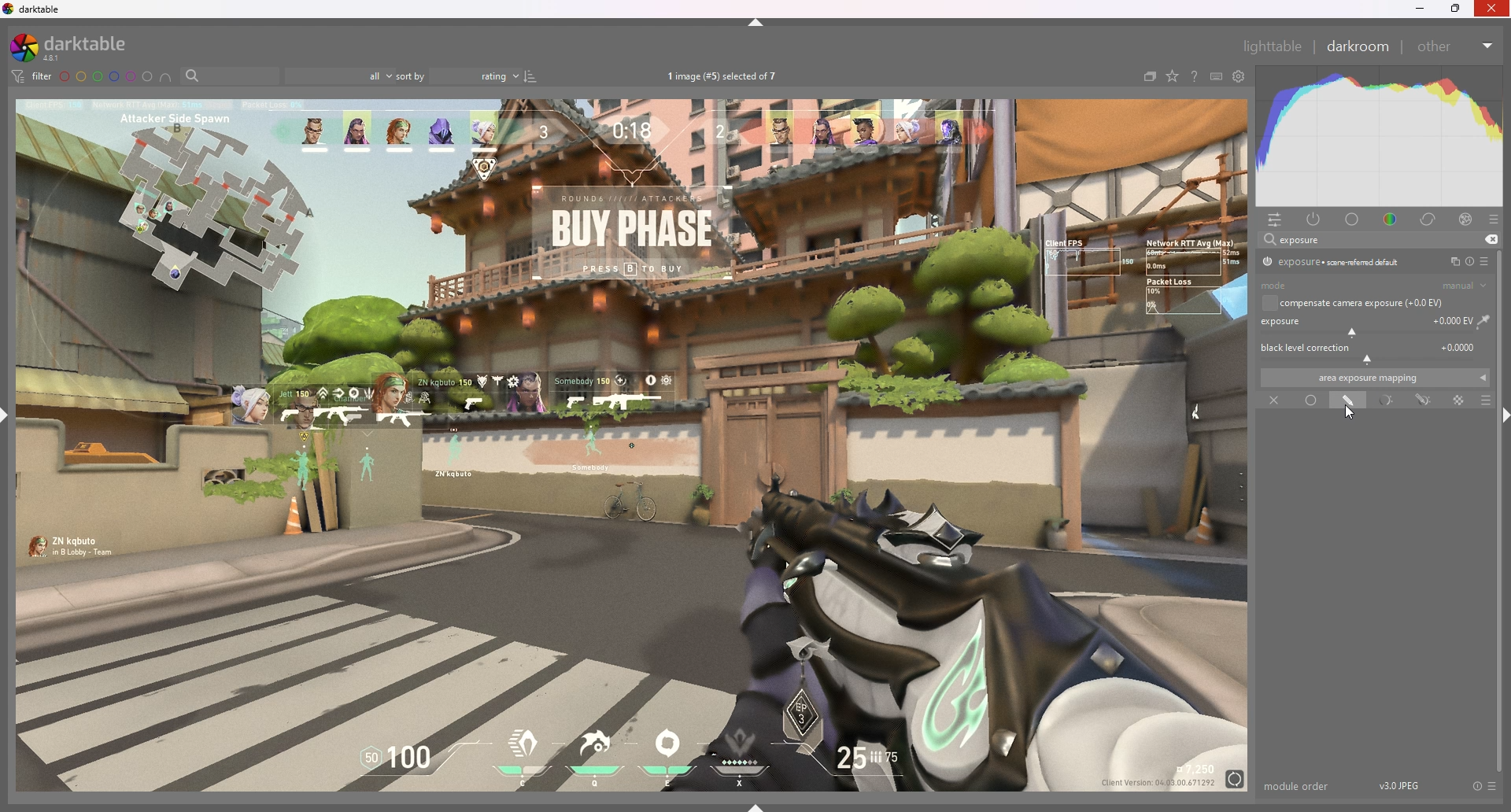 This screenshot has height=812, width=1511. Describe the element at coordinates (1278, 220) in the screenshot. I see `quick access panel` at that location.